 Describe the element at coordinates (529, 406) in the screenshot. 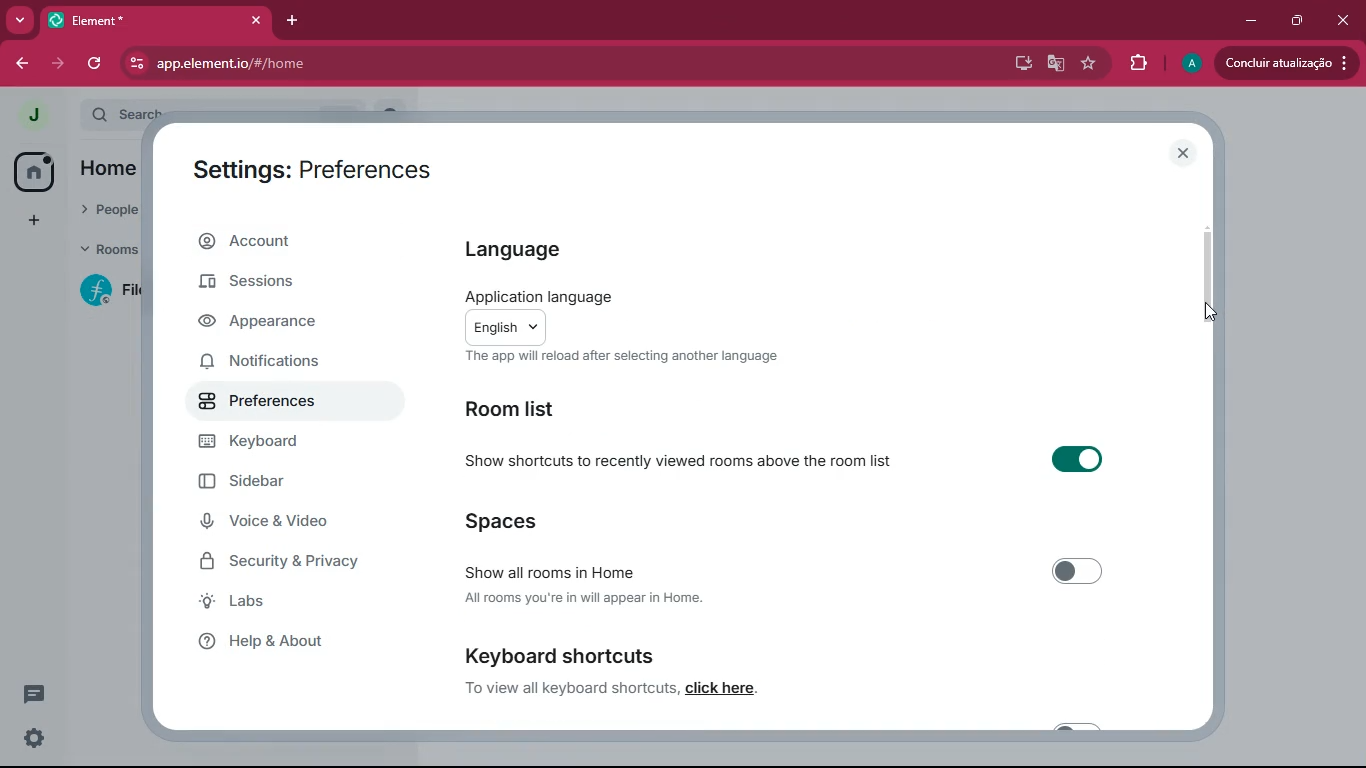

I see `room list` at that location.